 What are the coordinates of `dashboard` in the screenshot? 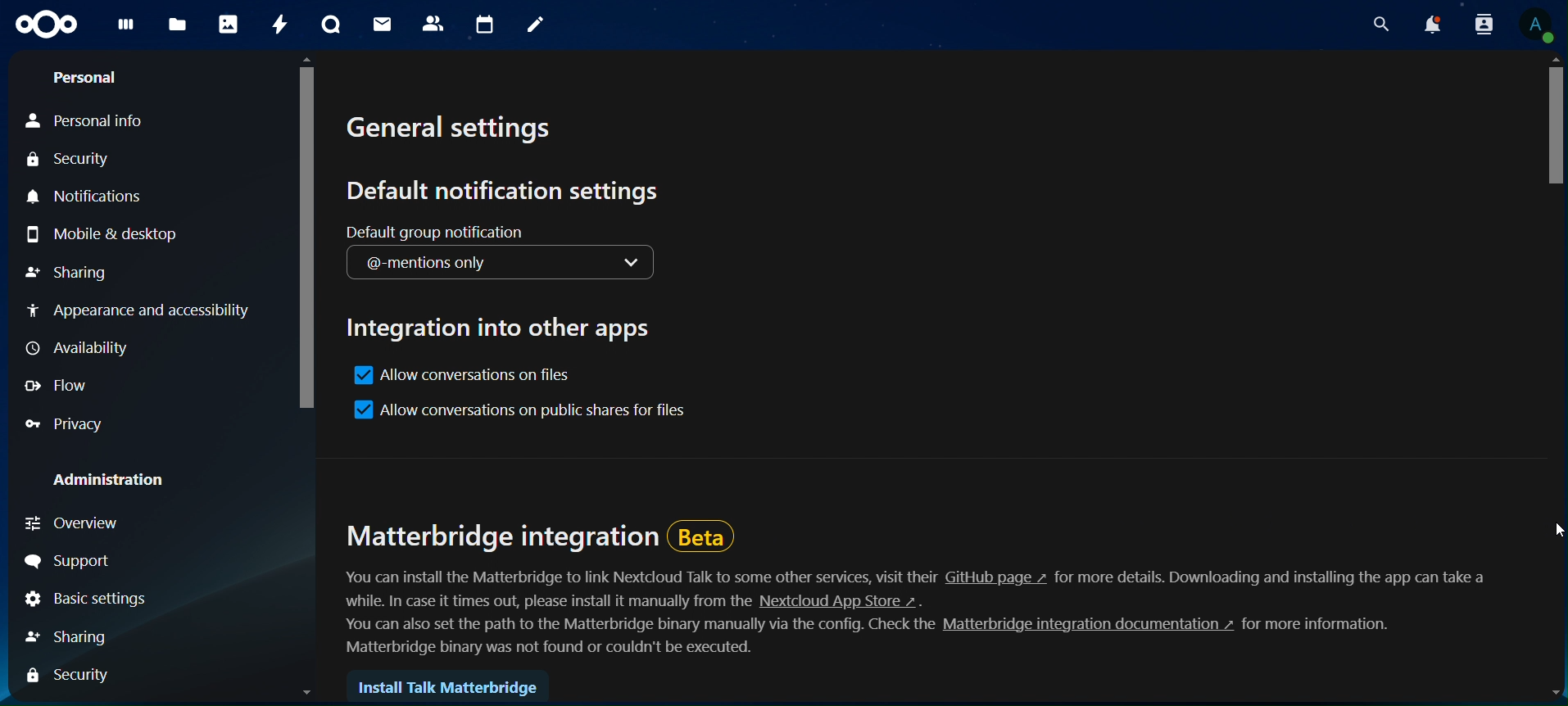 It's located at (125, 29).